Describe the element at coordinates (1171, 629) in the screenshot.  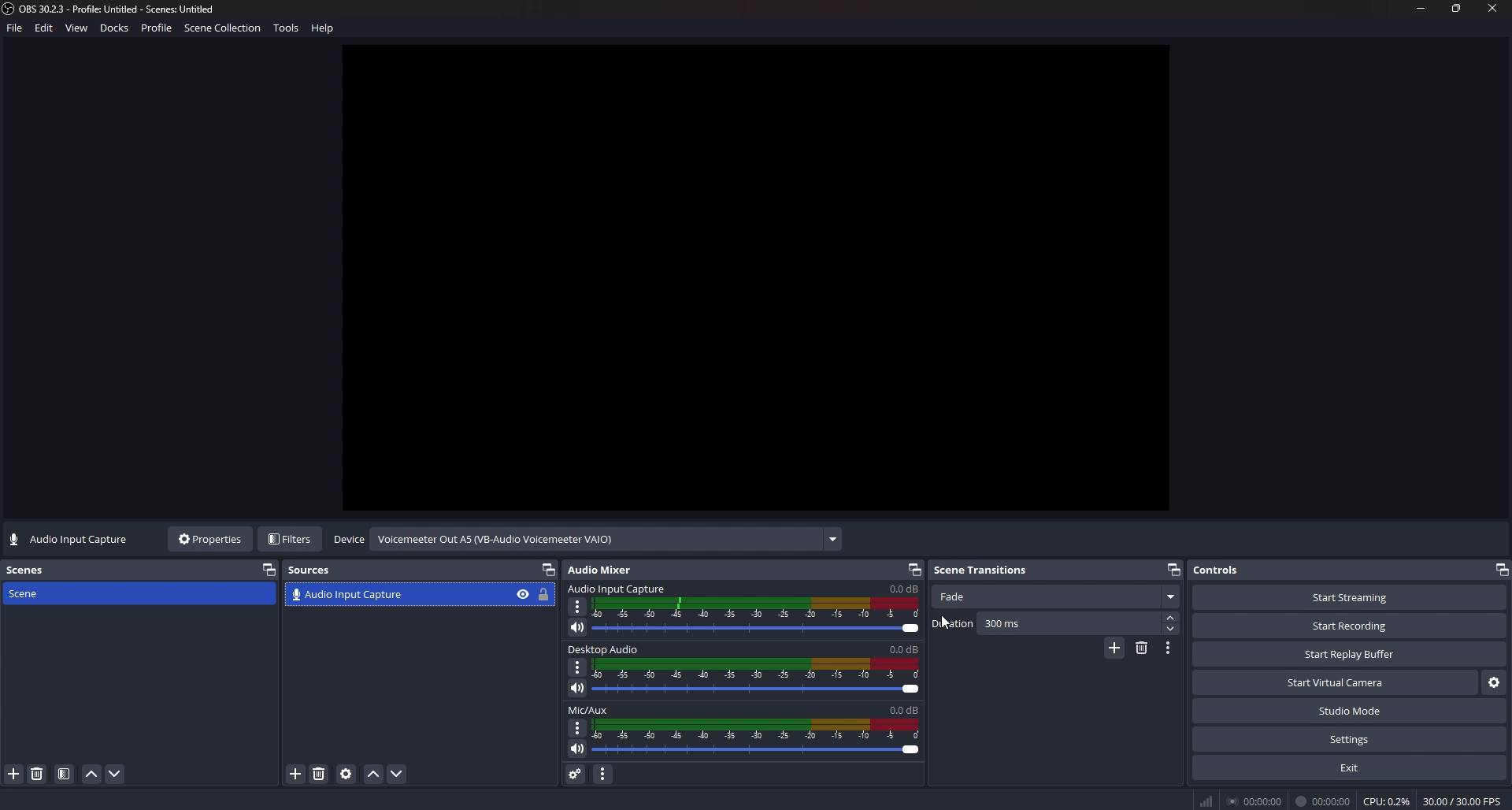
I see `decrease duration` at that location.